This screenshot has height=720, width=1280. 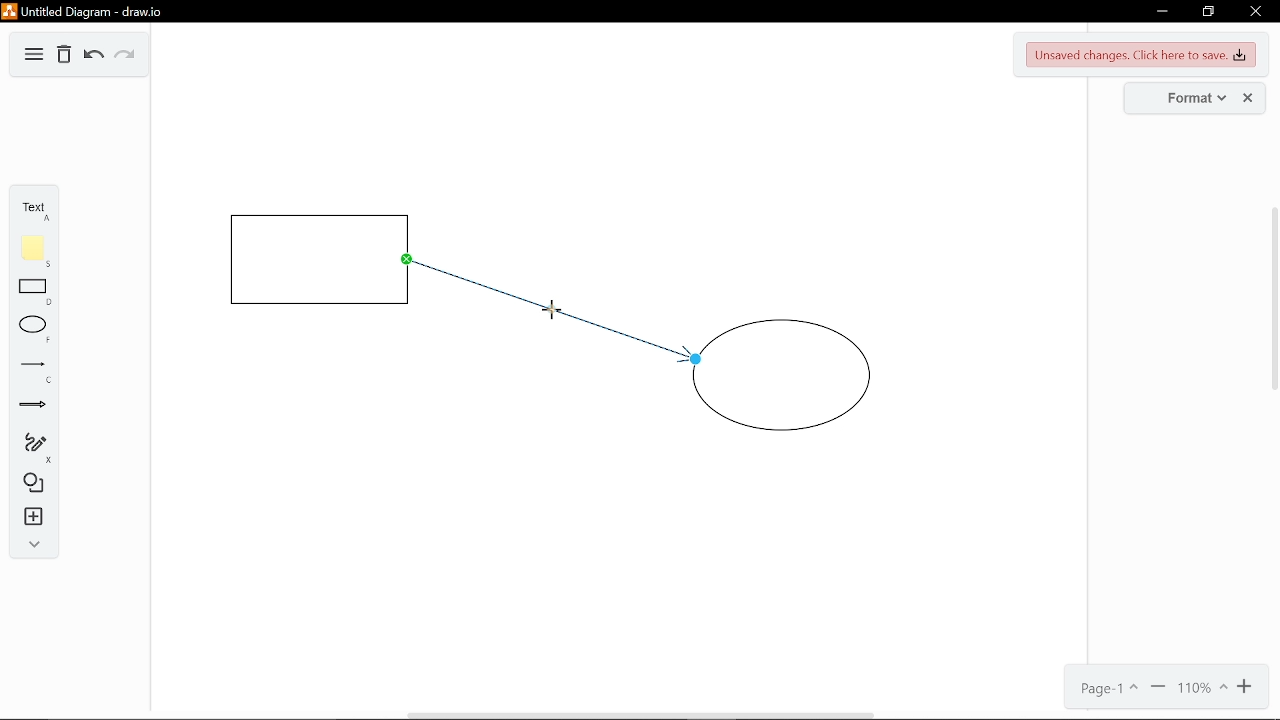 I want to click on Shapes, so click(x=33, y=486).